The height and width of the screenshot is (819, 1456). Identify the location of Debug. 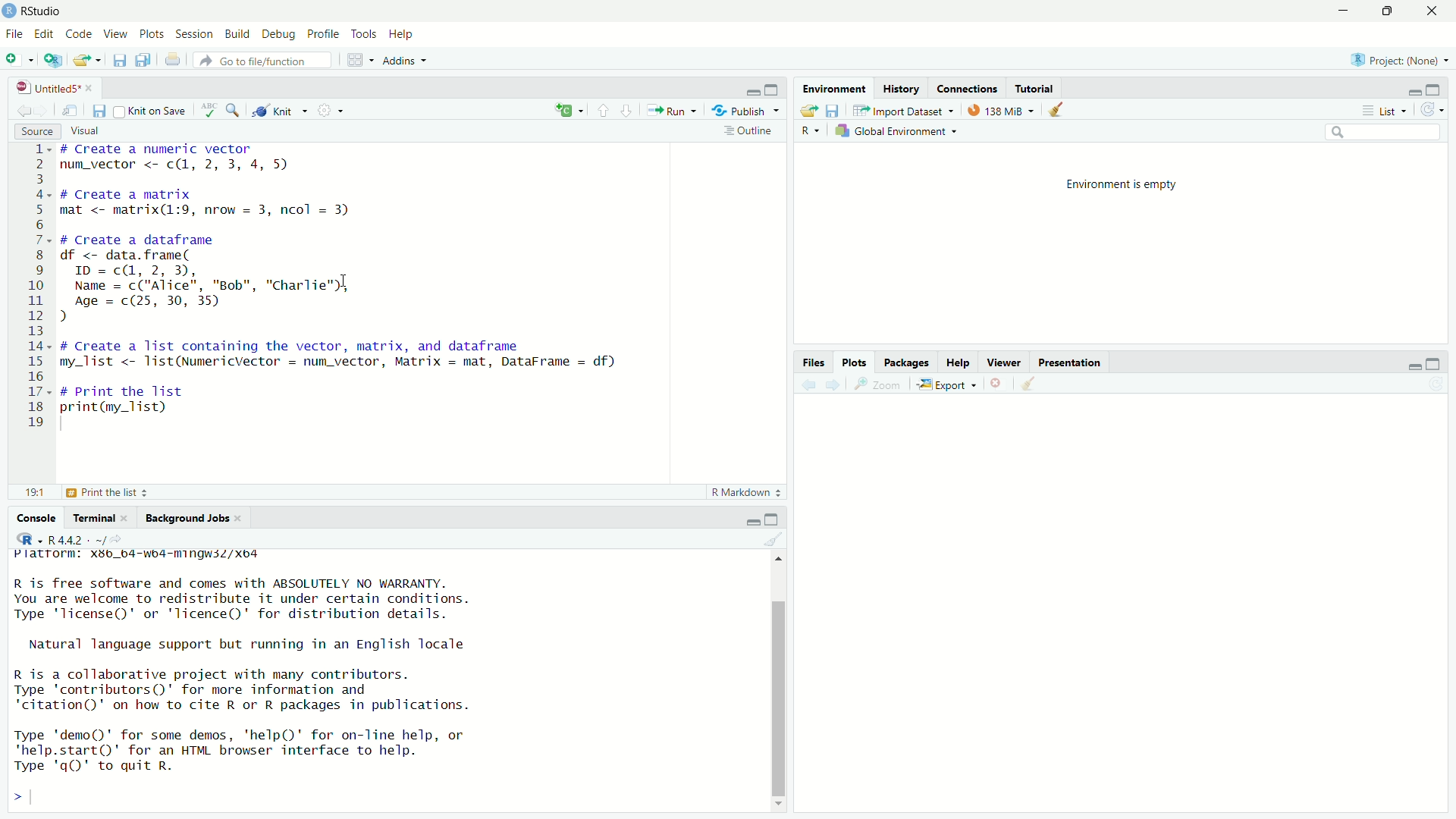
(279, 34).